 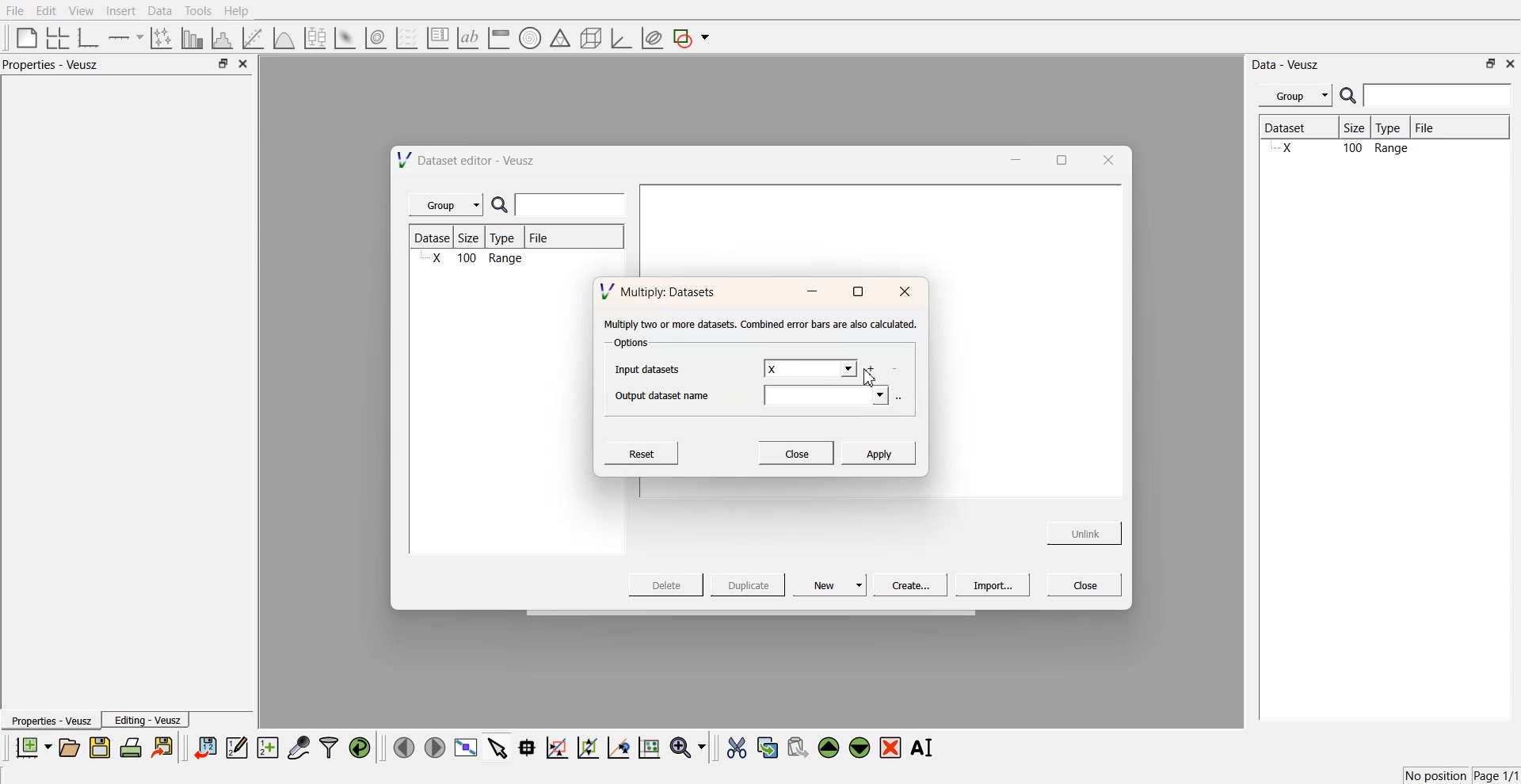 I want to click on move left, so click(x=404, y=747).